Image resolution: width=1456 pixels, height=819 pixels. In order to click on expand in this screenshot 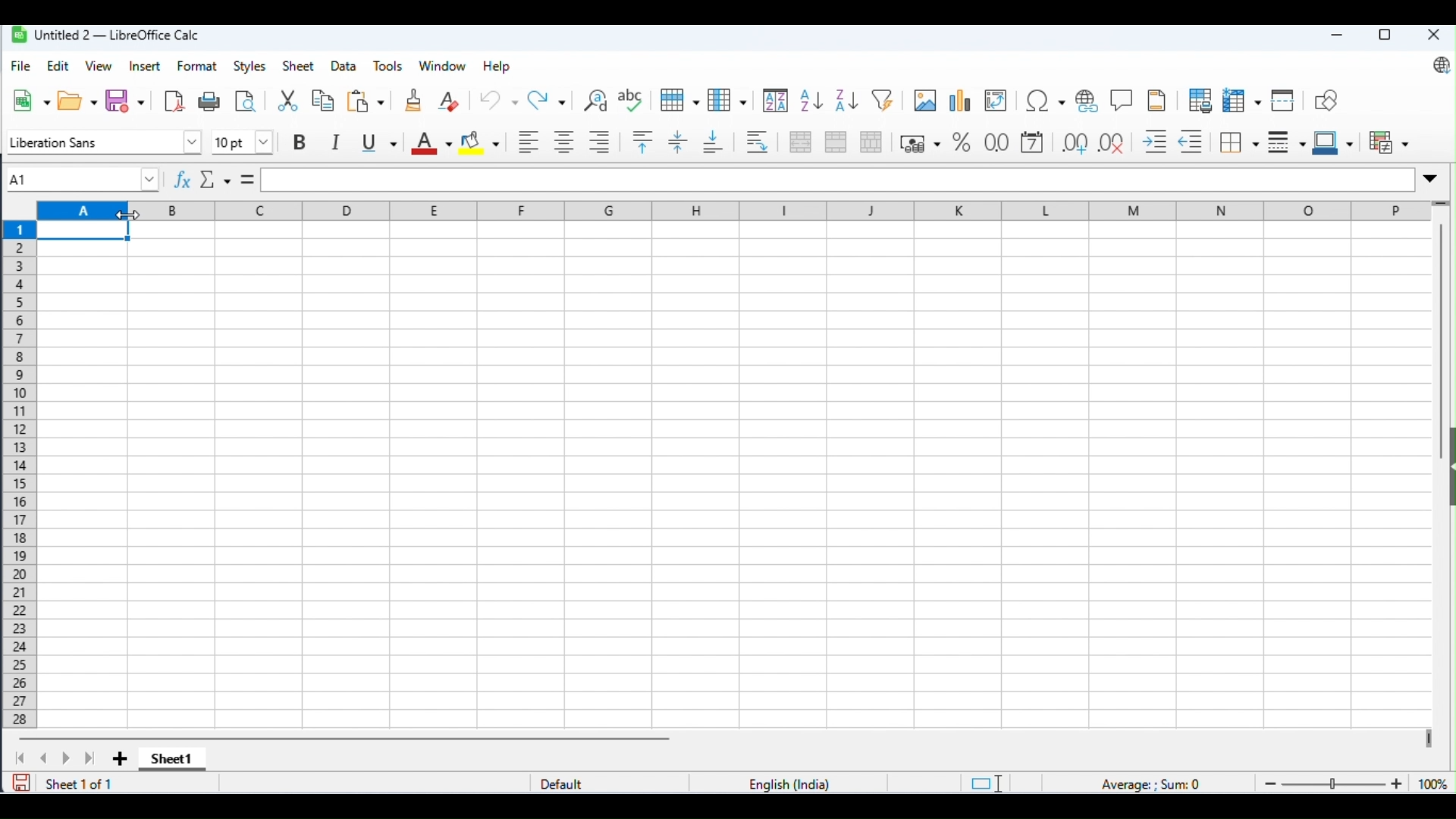, I will do `click(1429, 180)`.